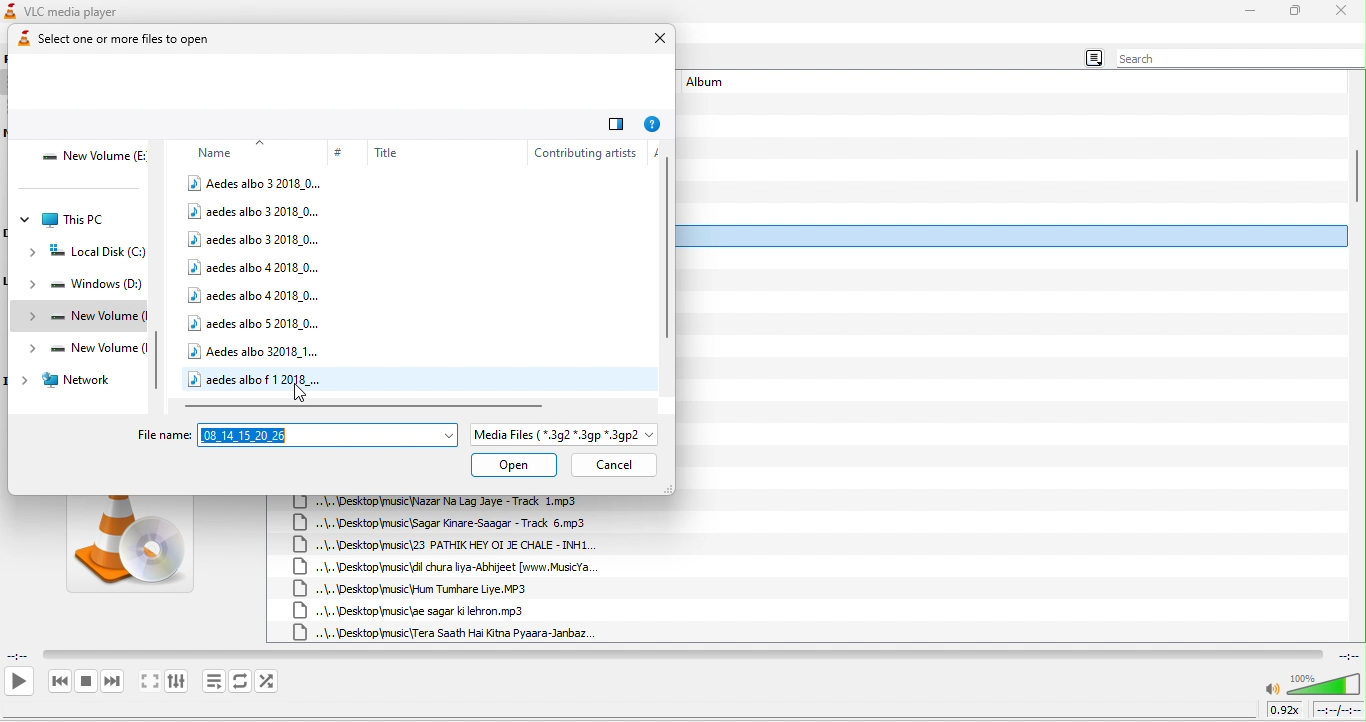 The height and width of the screenshot is (722, 1366). What do you see at coordinates (161, 364) in the screenshot?
I see `vertical scroll bar` at bounding box center [161, 364].